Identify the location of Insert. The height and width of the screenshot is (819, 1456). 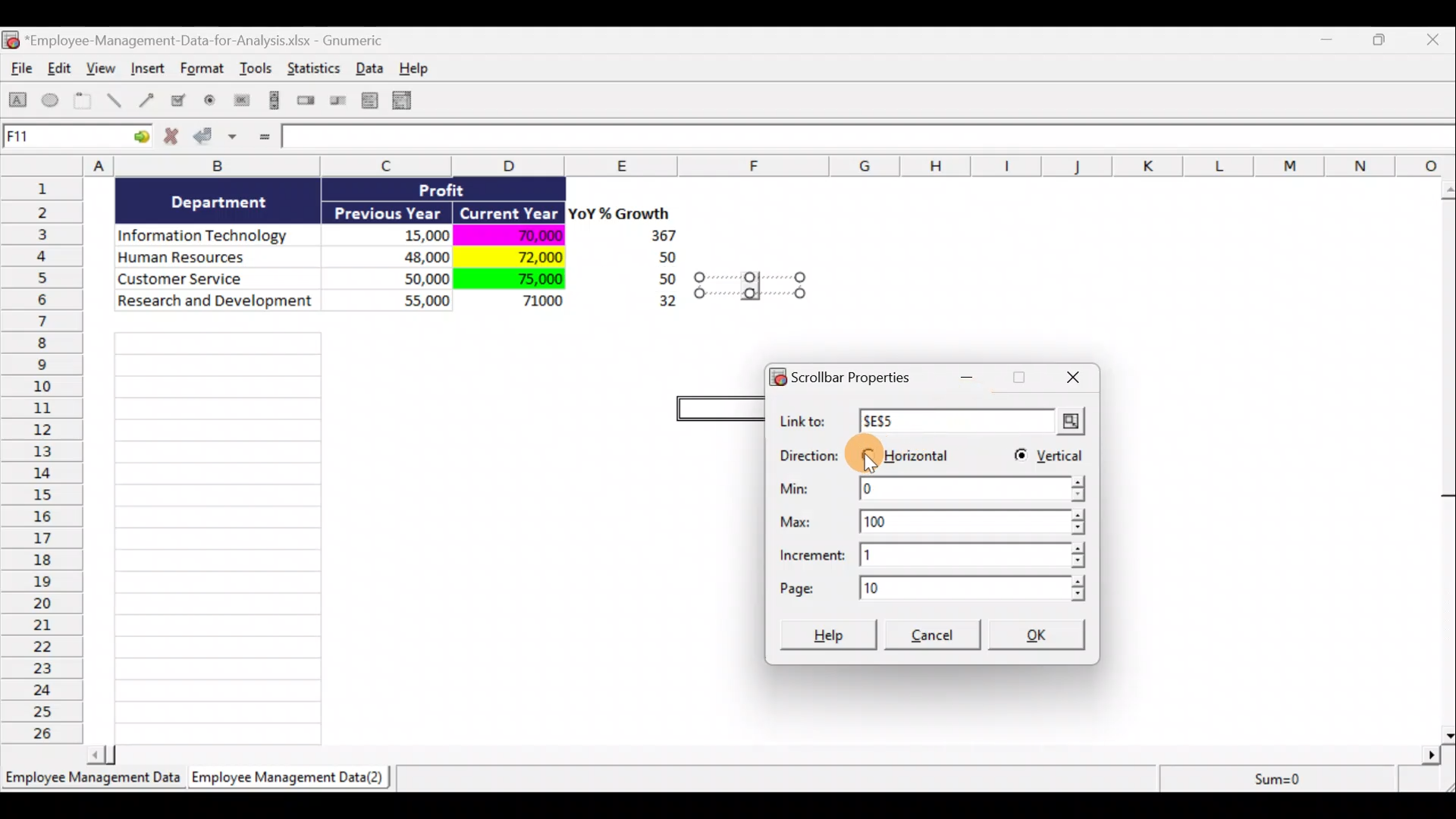
(147, 71).